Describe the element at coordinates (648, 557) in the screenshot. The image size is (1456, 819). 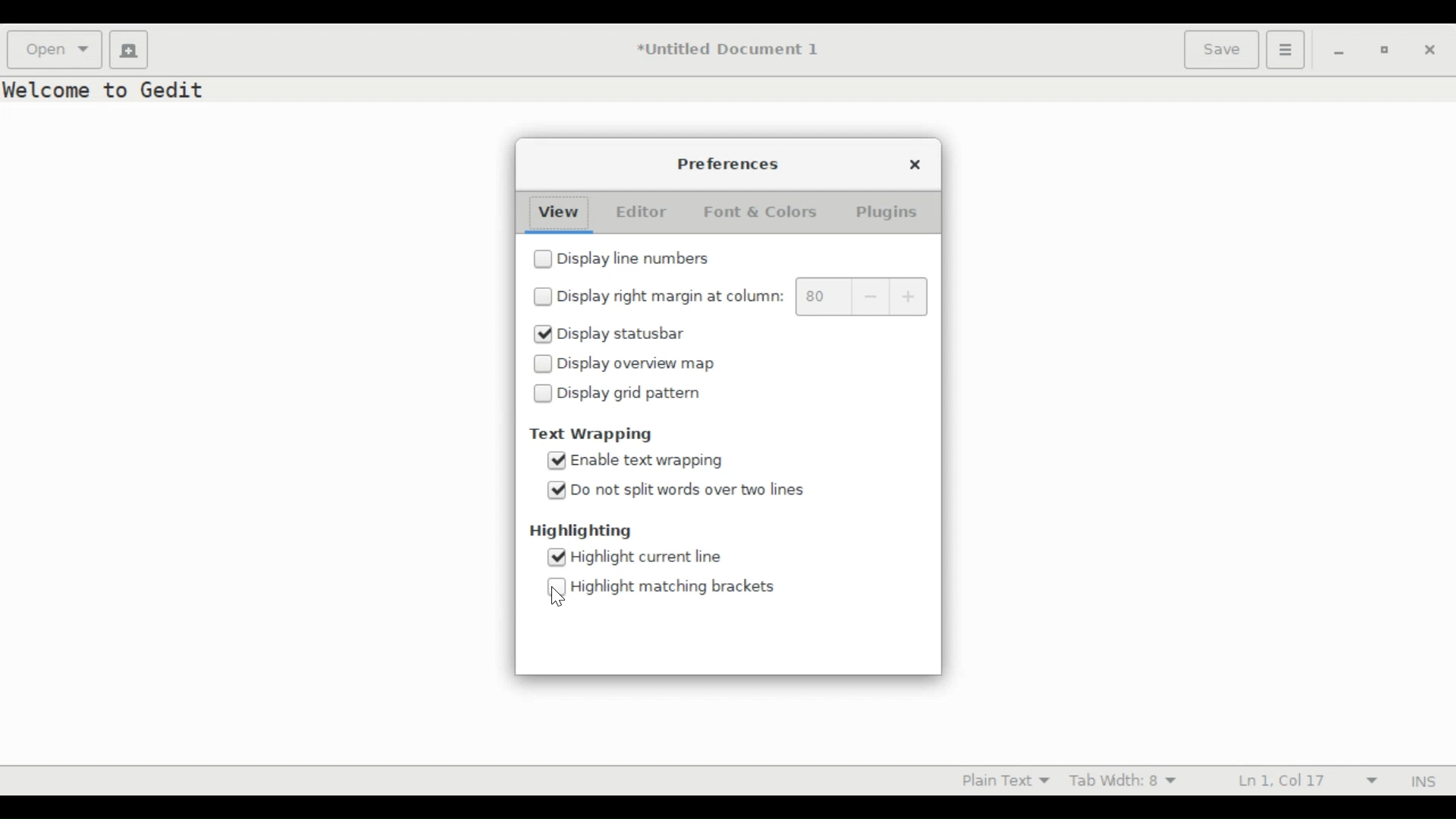
I see `Highlight current line` at that location.